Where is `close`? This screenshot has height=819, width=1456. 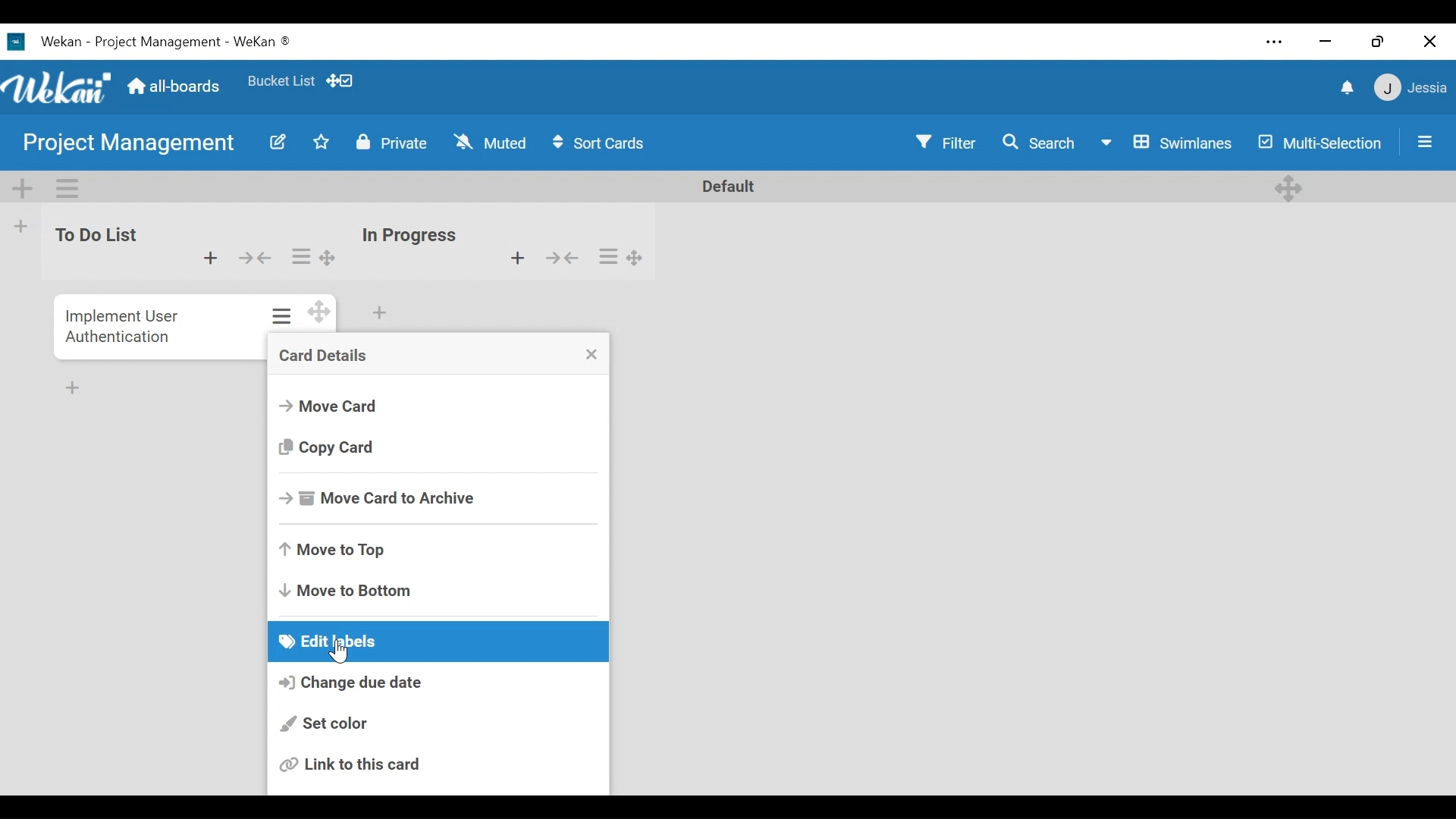 close is located at coordinates (591, 351).